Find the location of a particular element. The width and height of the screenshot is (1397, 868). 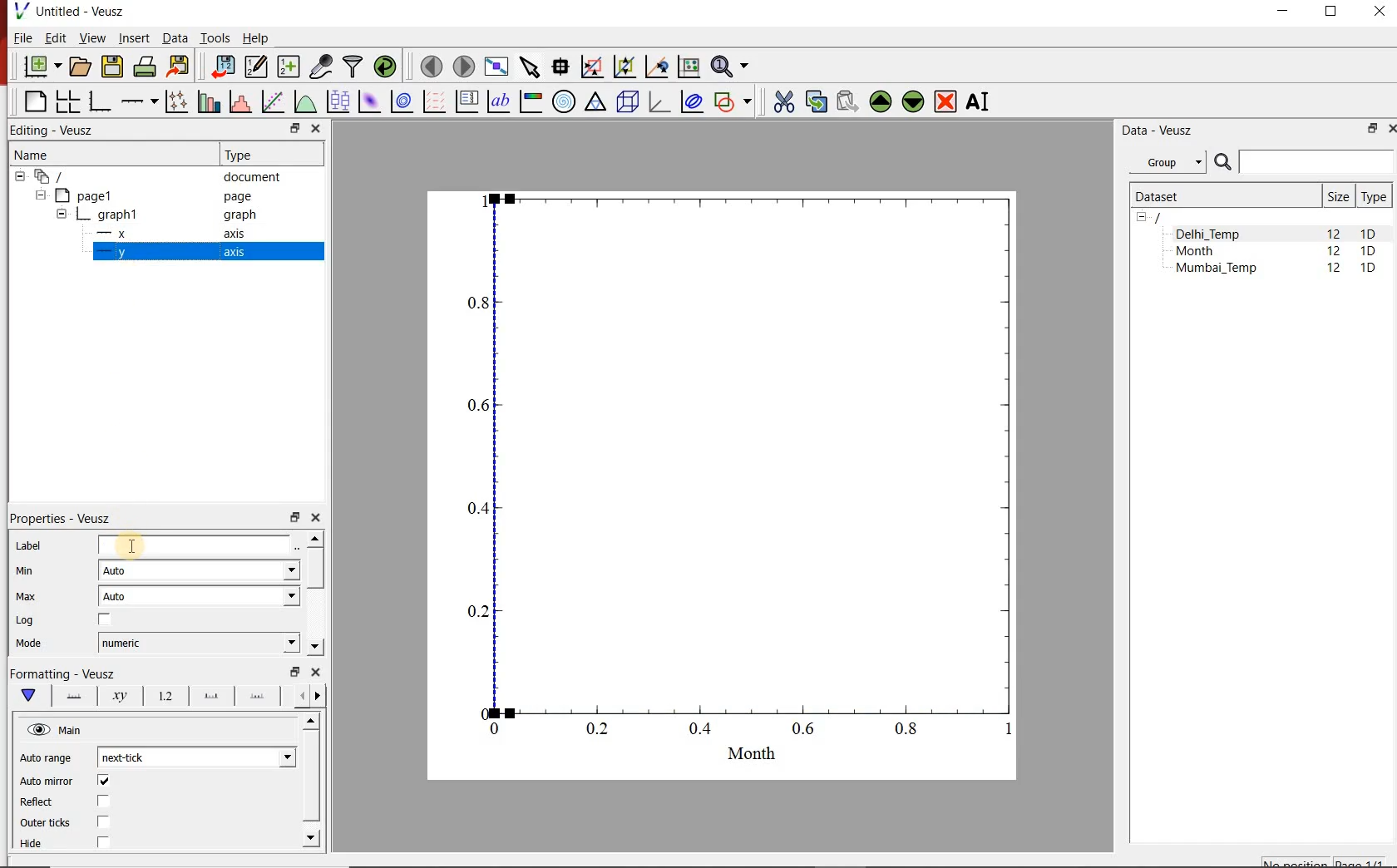

renames the selected widget is located at coordinates (979, 102).